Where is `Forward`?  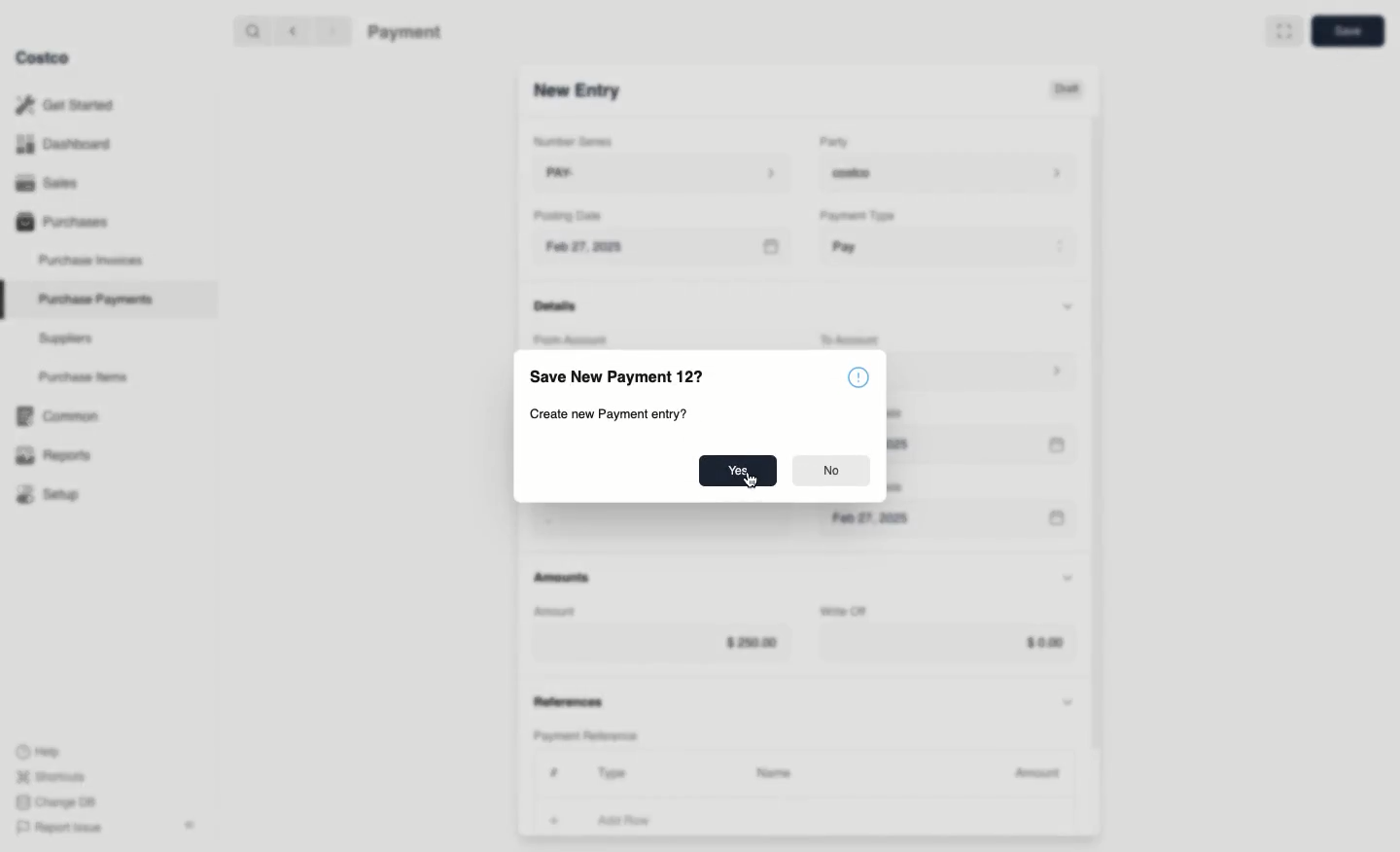 Forward is located at coordinates (331, 30).